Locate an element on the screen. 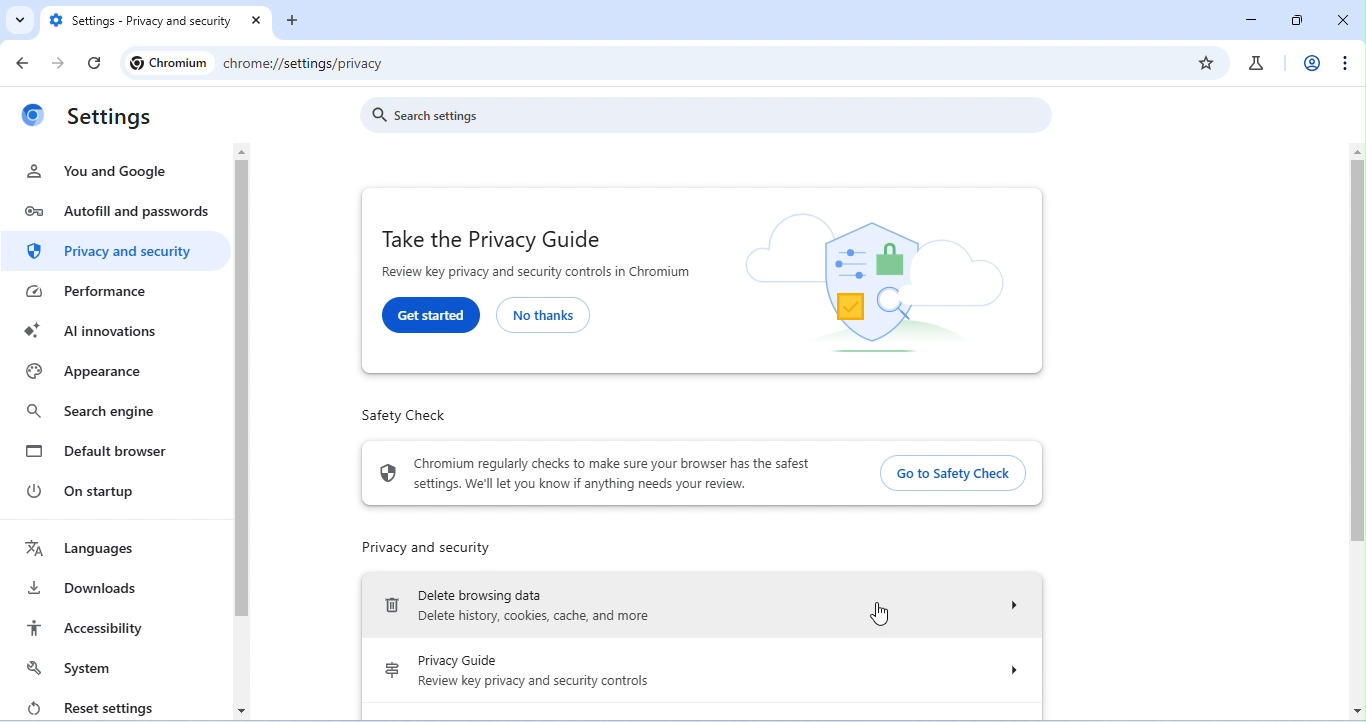 Image resolution: width=1366 pixels, height=722 pixels. bookmarks is located at coordinates (1207, 62).